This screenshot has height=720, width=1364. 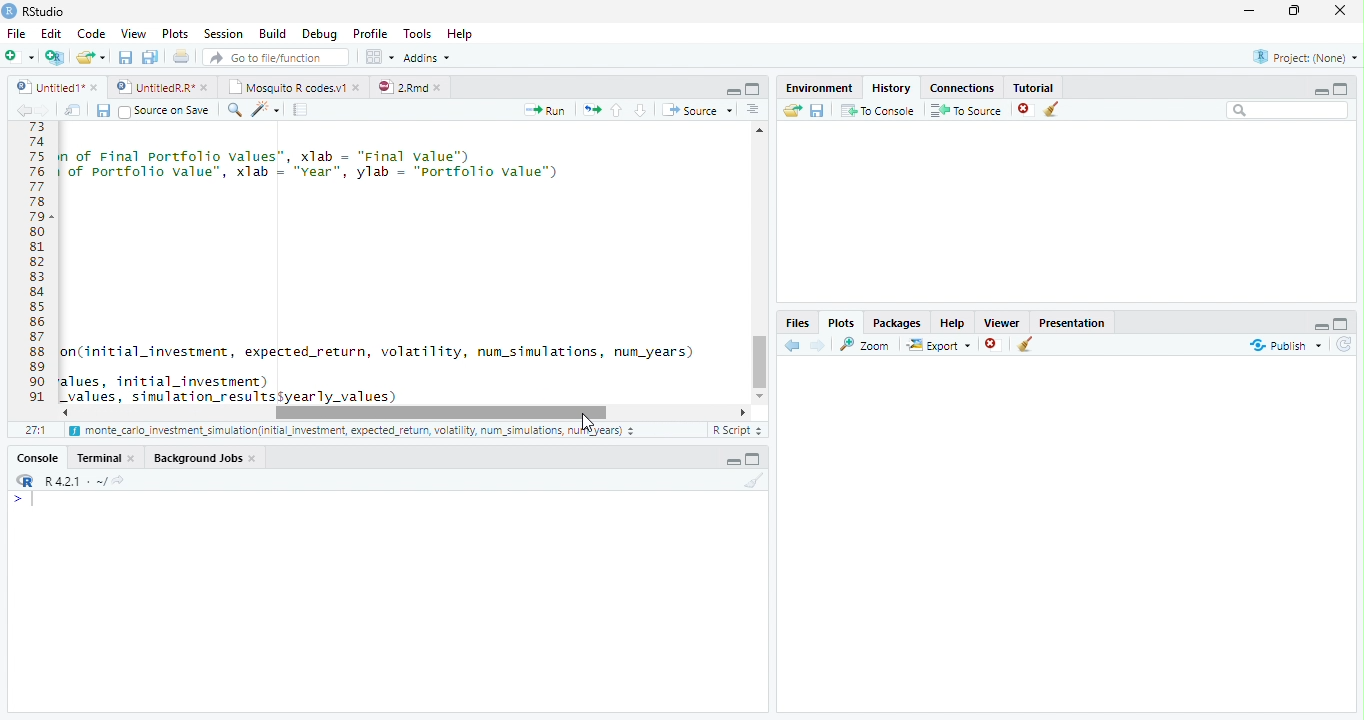 What do you see at coordinates (318, 34) in the screenshot?
I see `Debug` at bounding box center [318, 34].